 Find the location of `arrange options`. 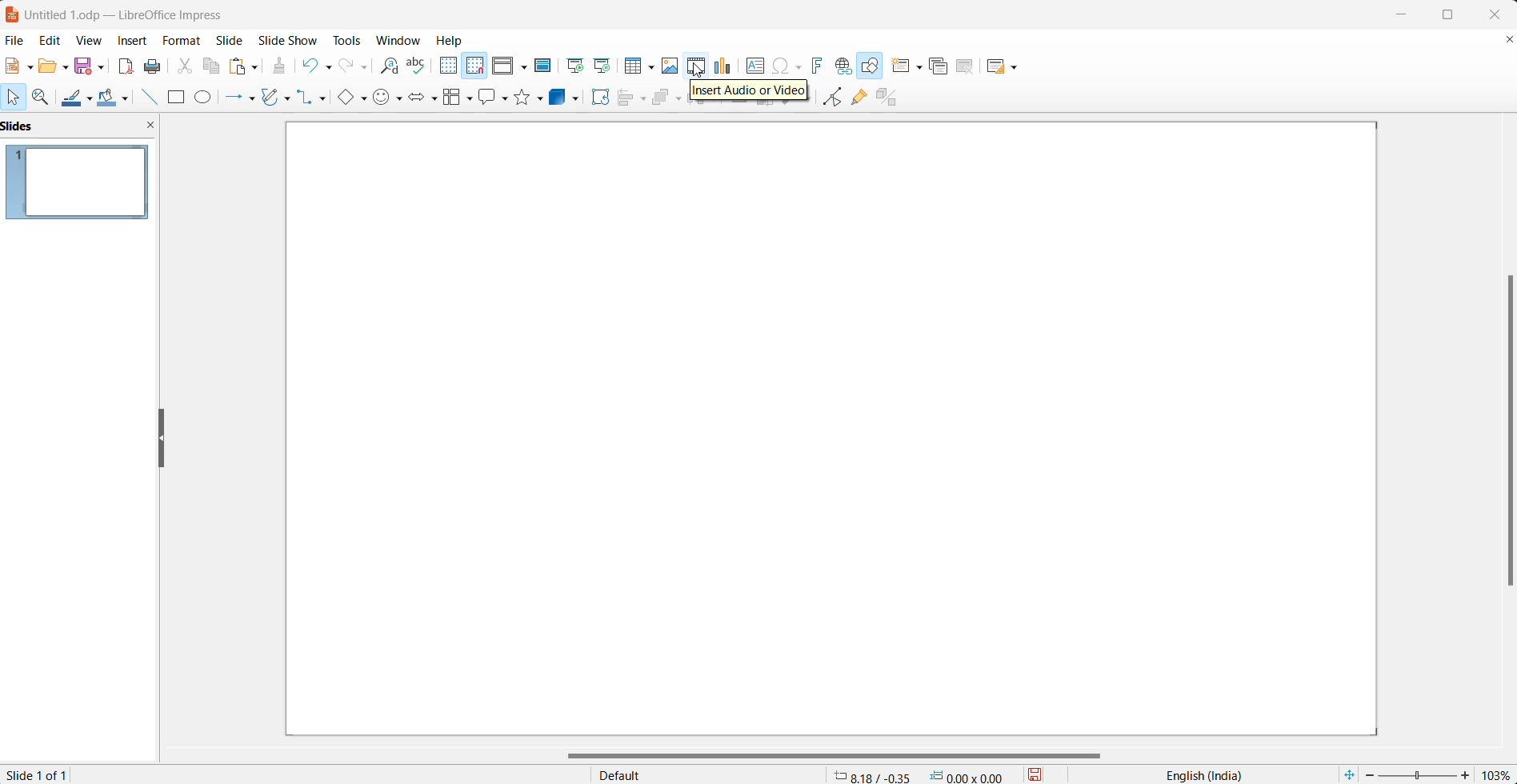

arrange options is located at coordinates (683, 100).